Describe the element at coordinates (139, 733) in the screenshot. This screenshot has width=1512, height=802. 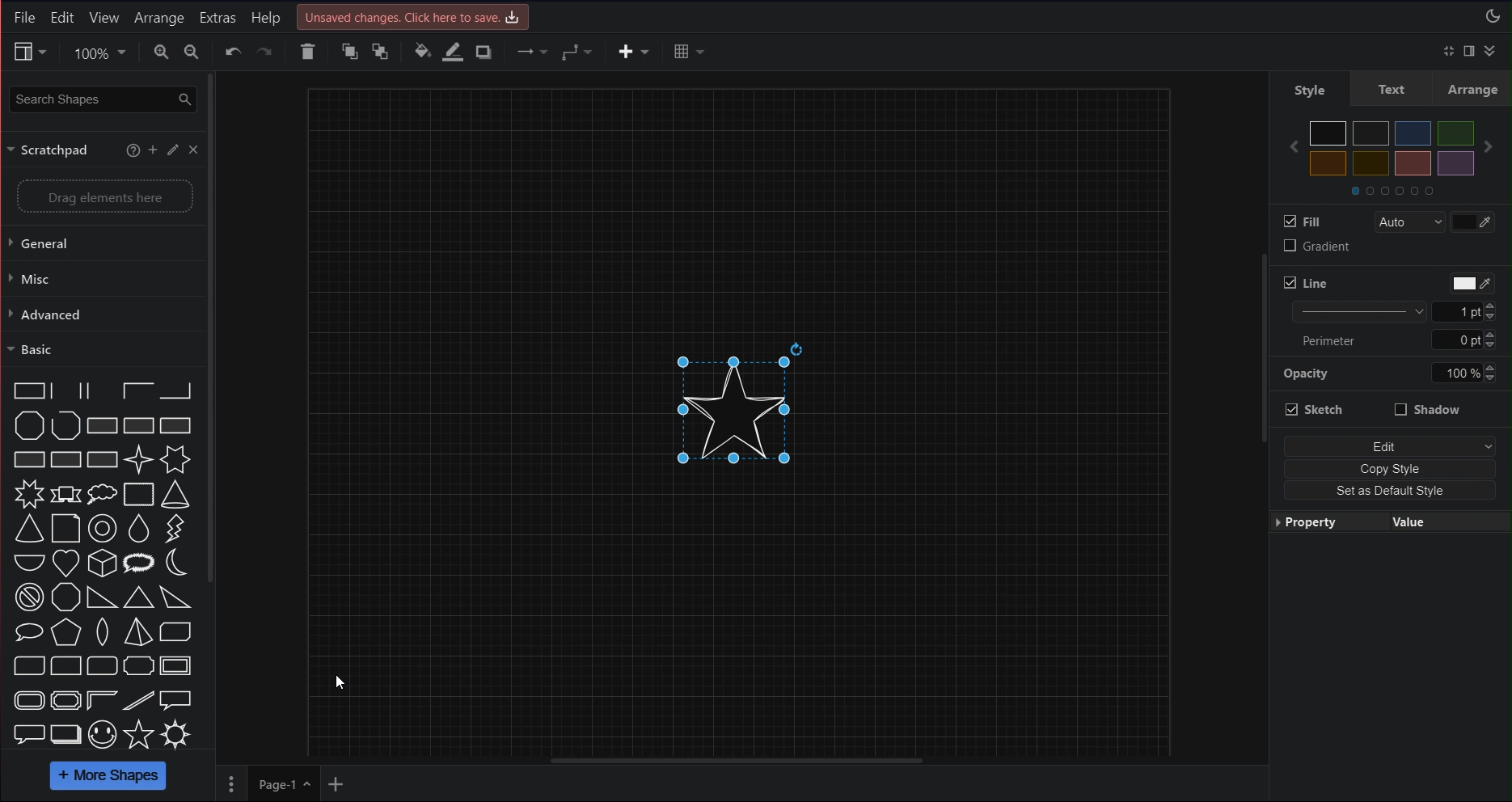
I see `star` at that location.